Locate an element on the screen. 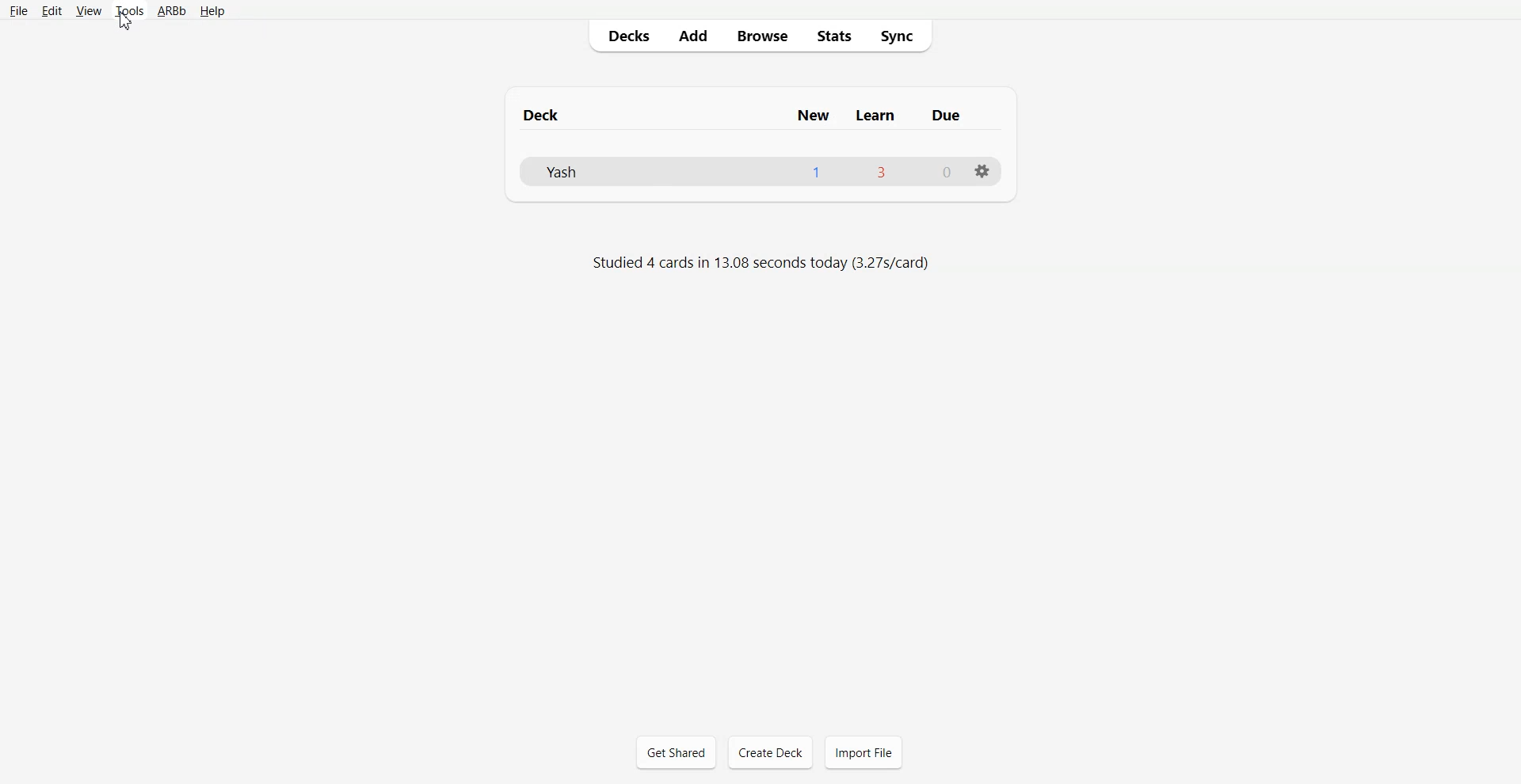 The width and height of the screenshot is (1521, 784). Help is located at coordinates (212, 12).